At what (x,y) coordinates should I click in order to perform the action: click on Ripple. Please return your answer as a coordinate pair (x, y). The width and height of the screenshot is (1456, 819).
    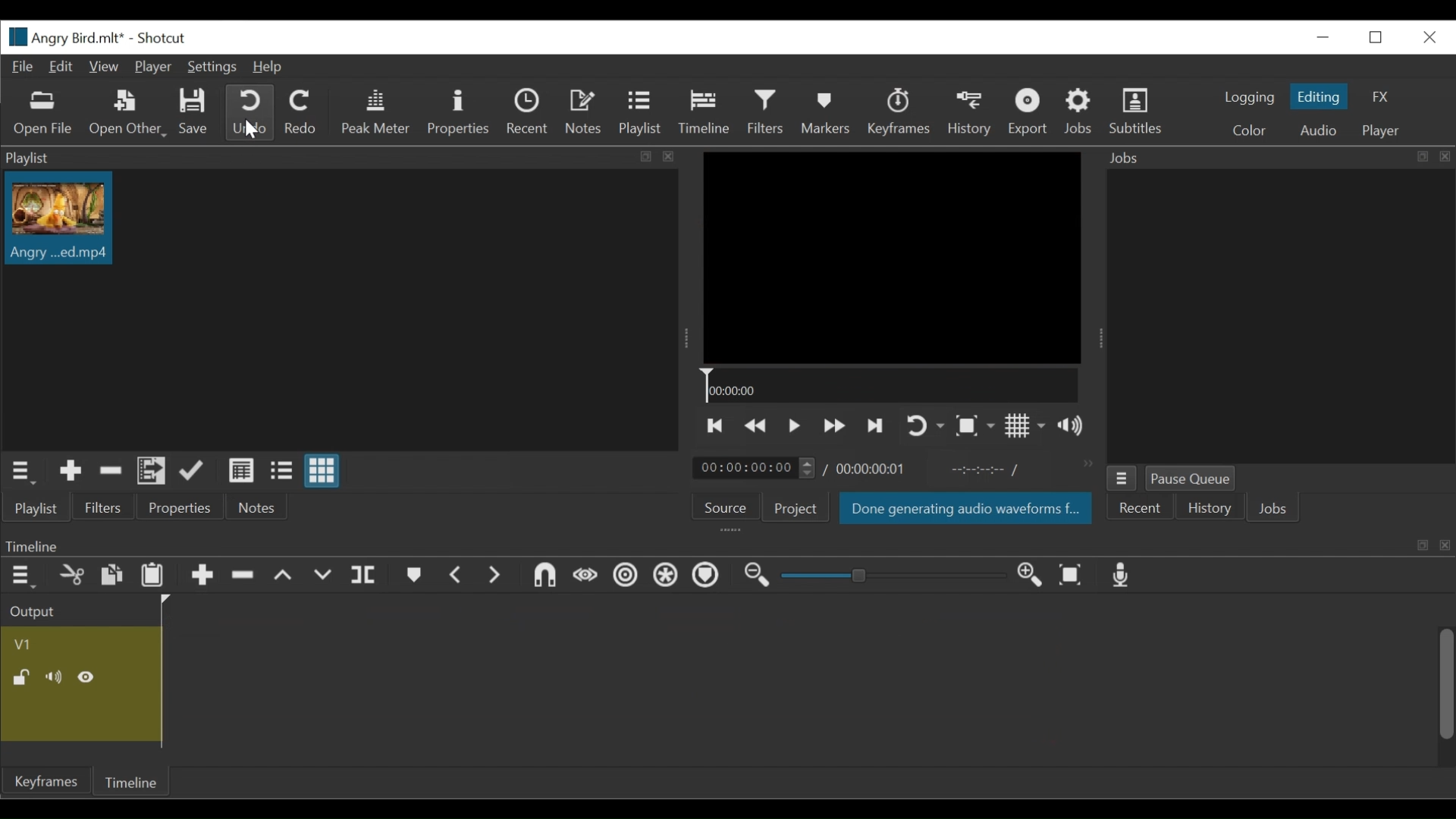
    Looking at the image, I should click on (626, 576).